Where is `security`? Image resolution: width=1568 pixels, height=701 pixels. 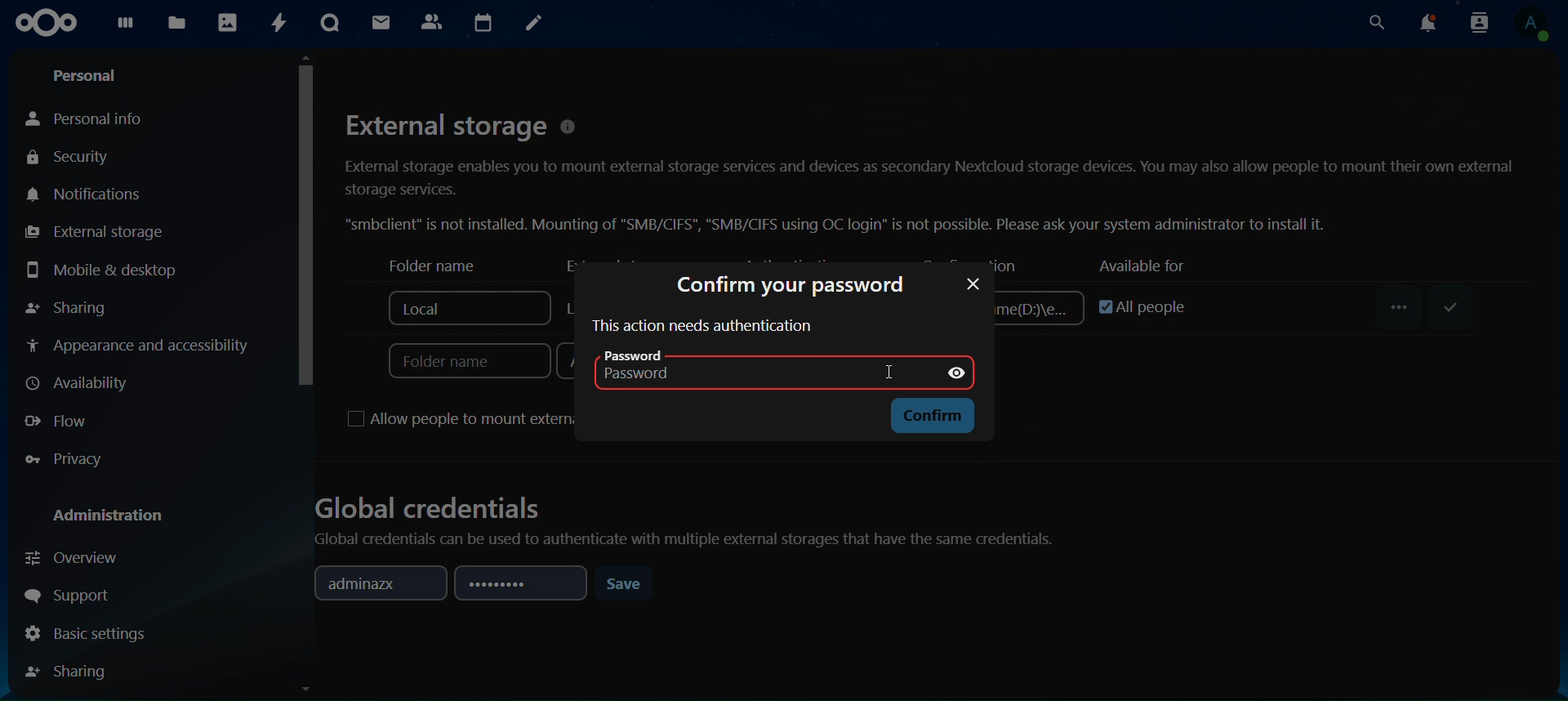
security is located at coordinates (82, 157).